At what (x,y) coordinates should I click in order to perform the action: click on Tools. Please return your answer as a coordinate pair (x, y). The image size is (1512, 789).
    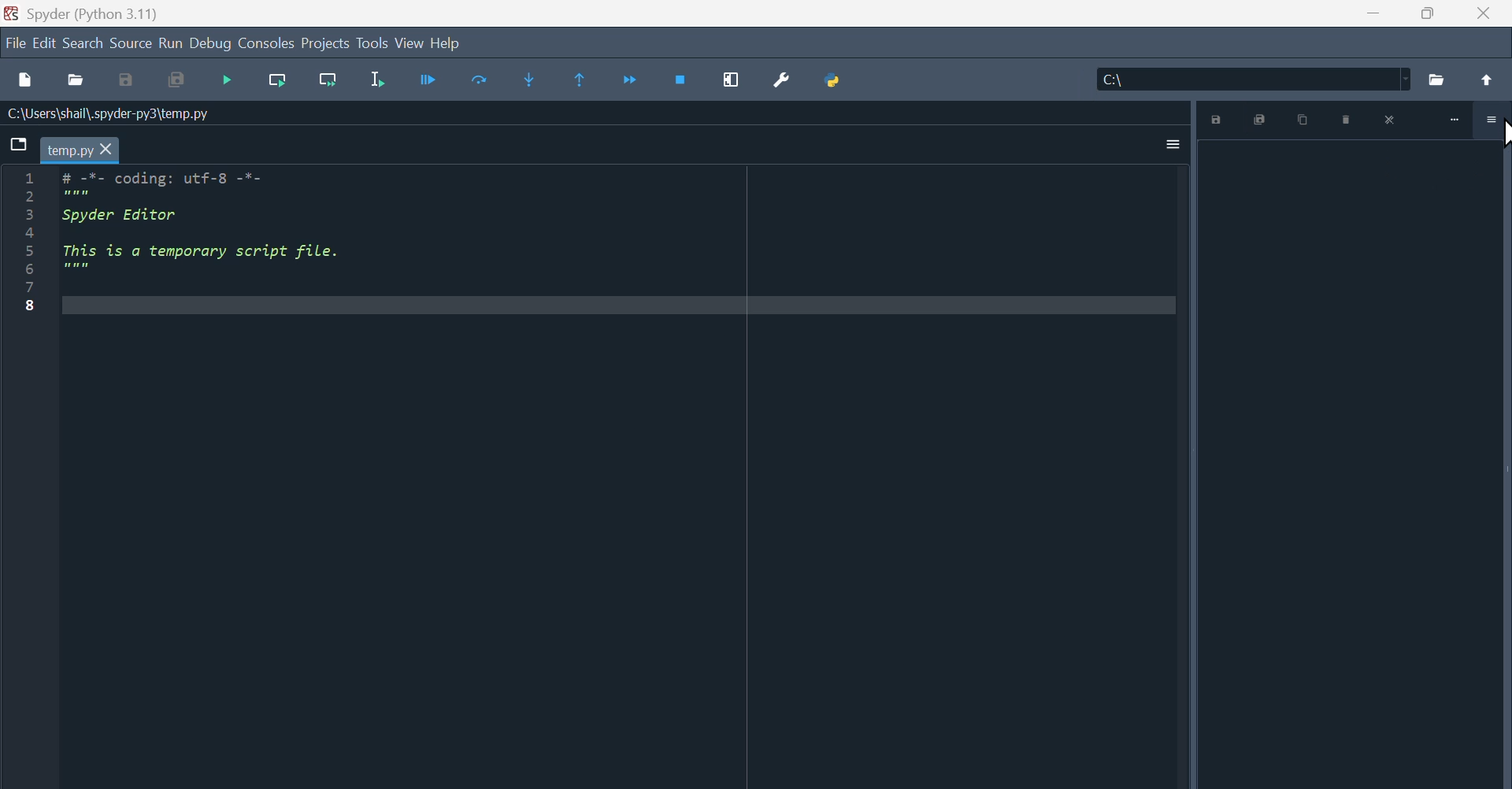
    Looking at the image, I should click on (372, 43).